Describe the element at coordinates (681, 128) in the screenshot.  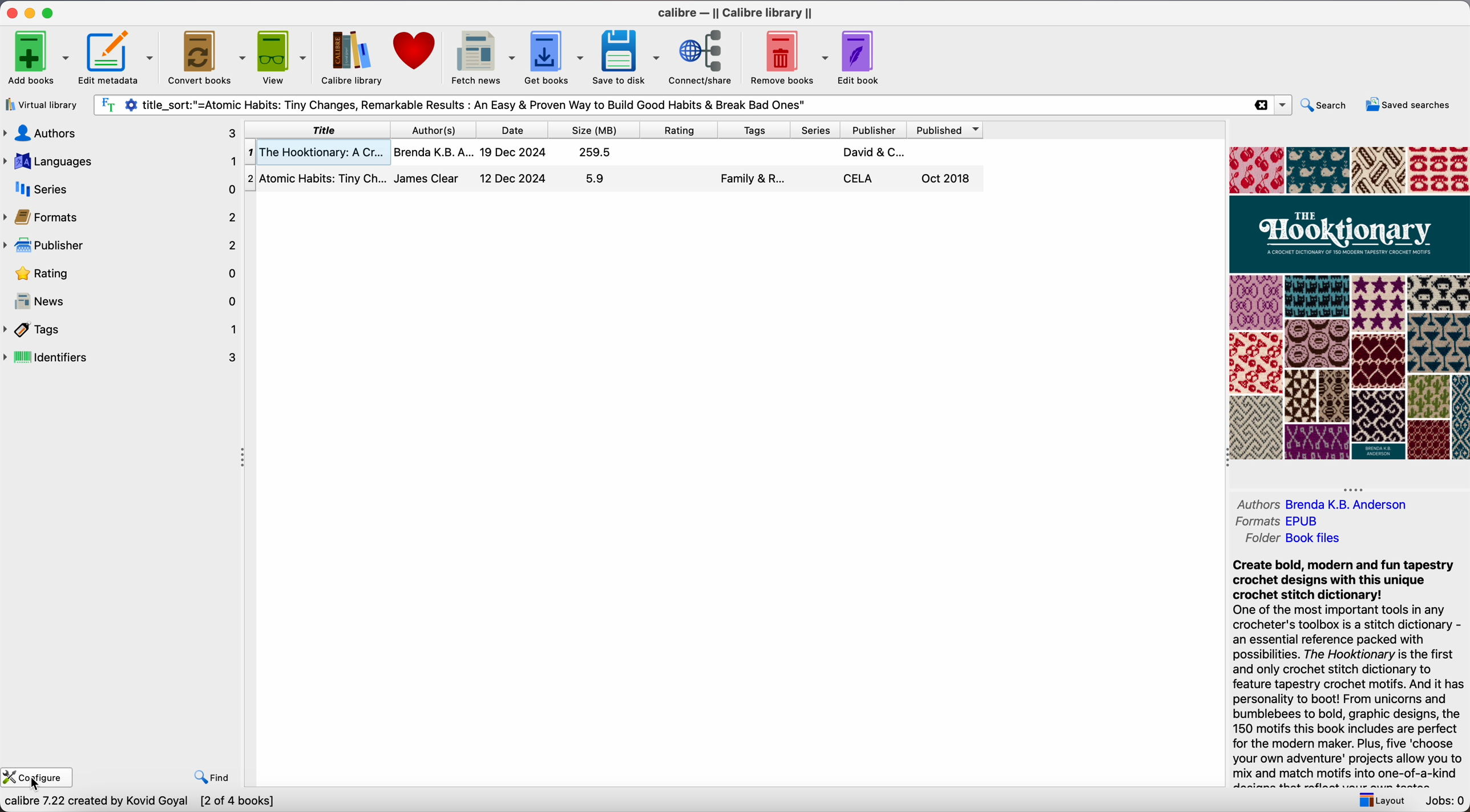
I see `rating` at that location.